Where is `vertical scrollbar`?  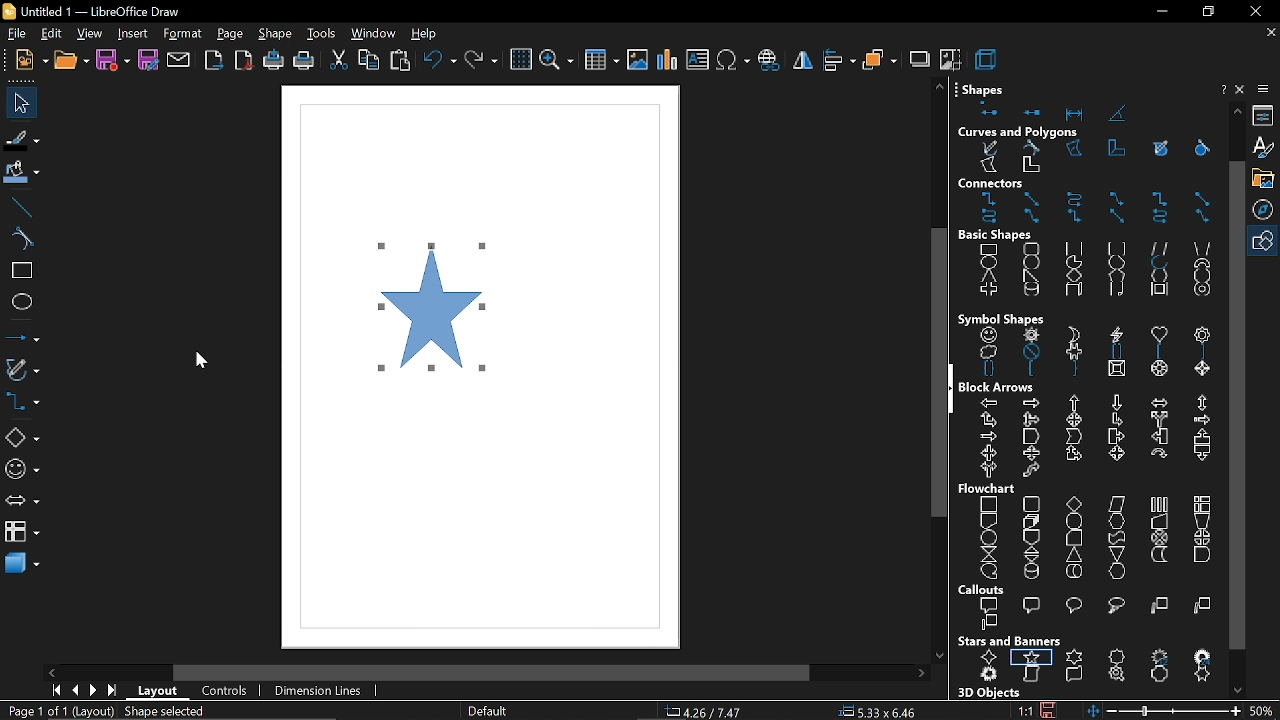
vertical scrollbar is located at coordinates (1237, 405).